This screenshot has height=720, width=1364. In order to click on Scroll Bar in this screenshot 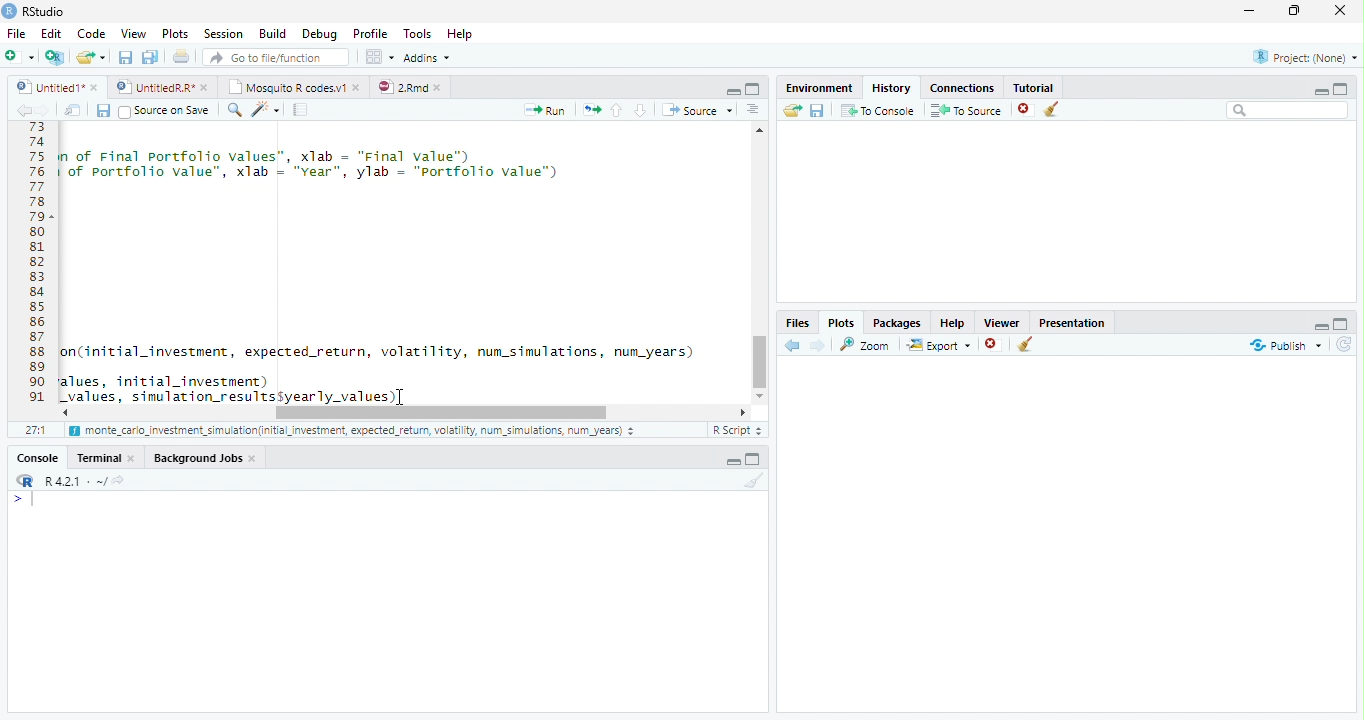, I will do `click(760, 358)`.